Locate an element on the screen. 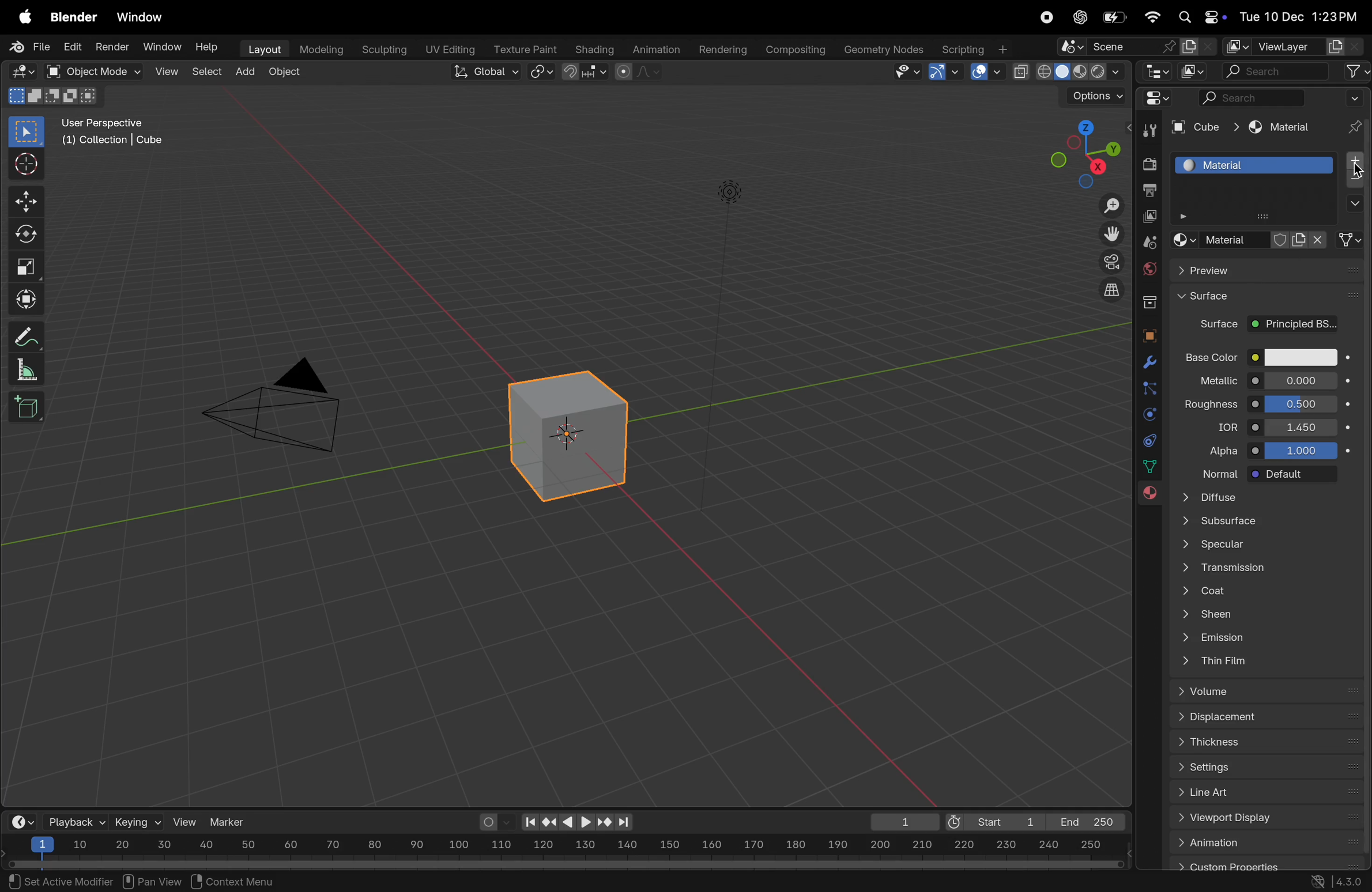 This screenshot has height=892, width=1372. version 4.30 is located at coordinates (1333, 884).